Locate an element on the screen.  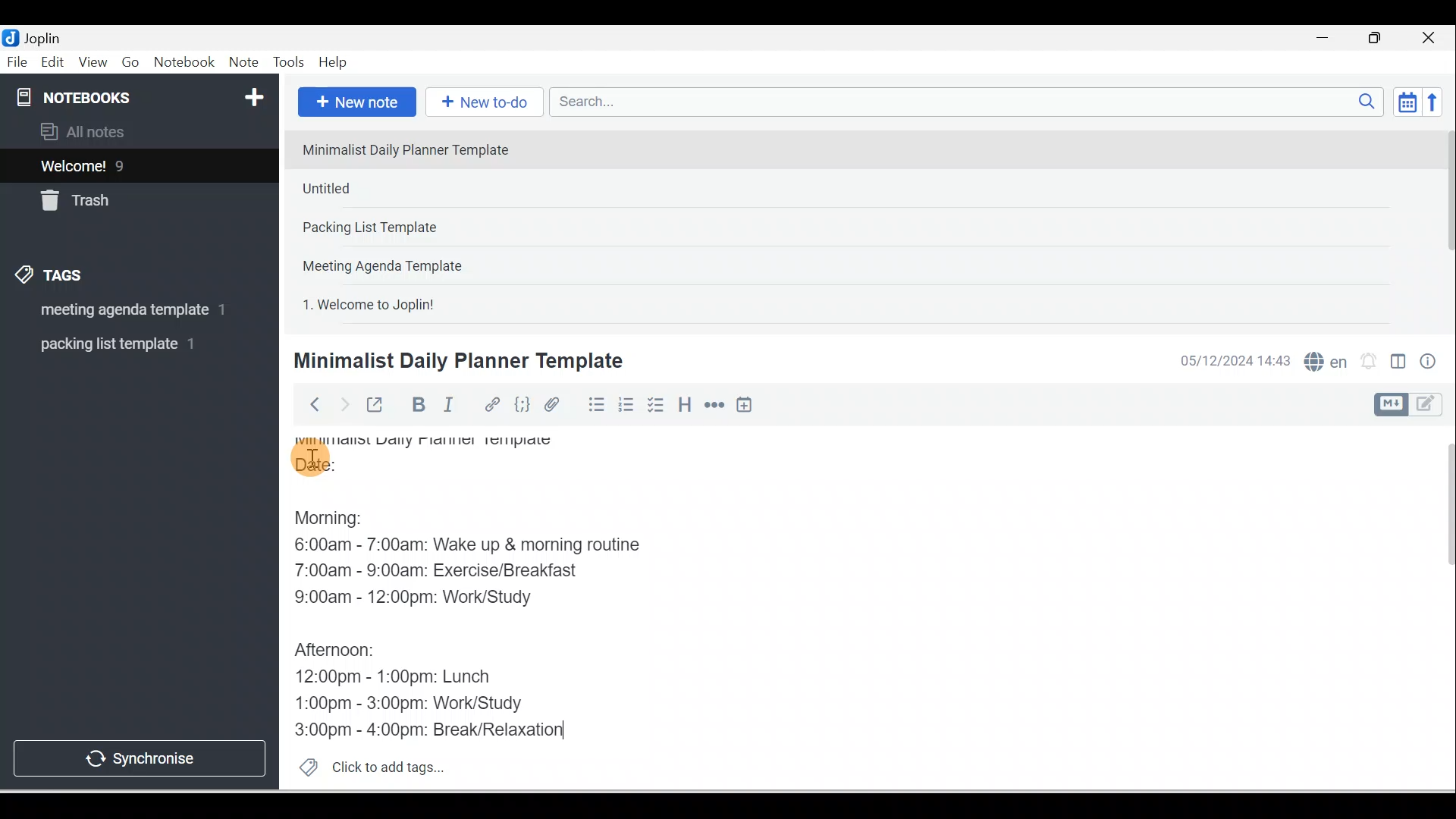
Bulleted list is located at coordinates (593, 404).